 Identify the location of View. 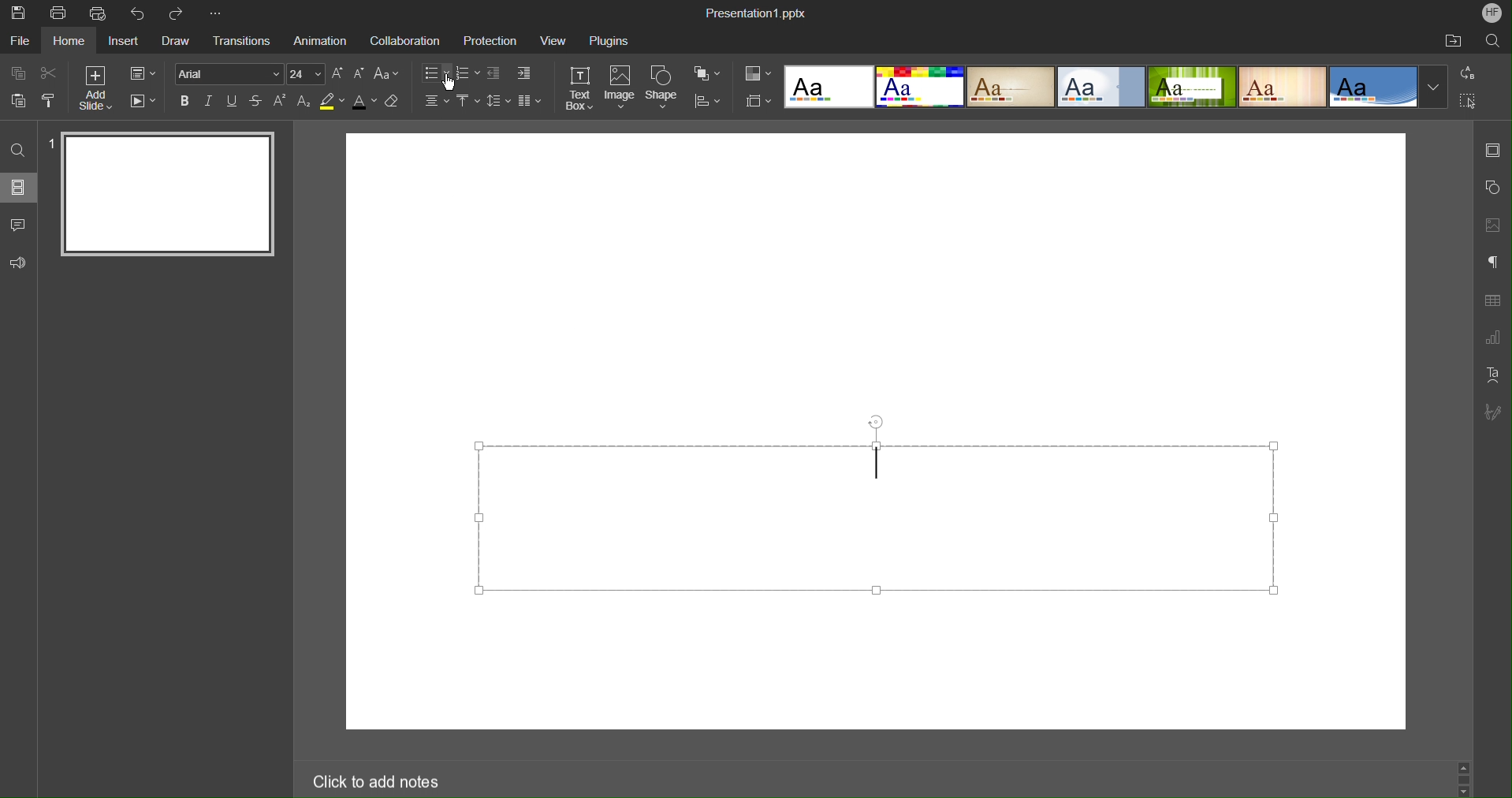
(550, 40).